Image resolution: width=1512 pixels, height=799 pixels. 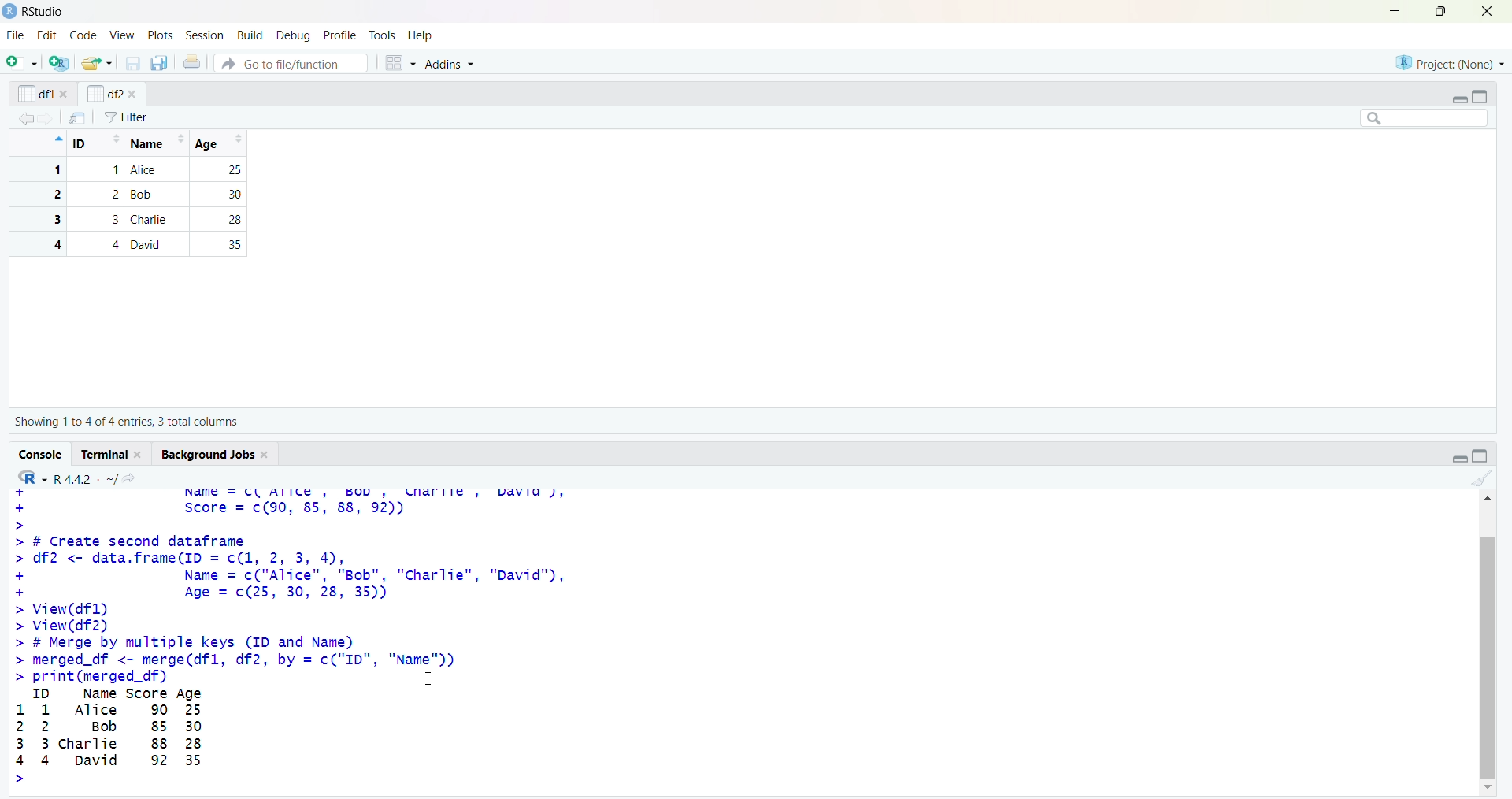 I want to click on Showing 1 to 4 of 4 entries, 3 total columns, so click(x=126, y=422).